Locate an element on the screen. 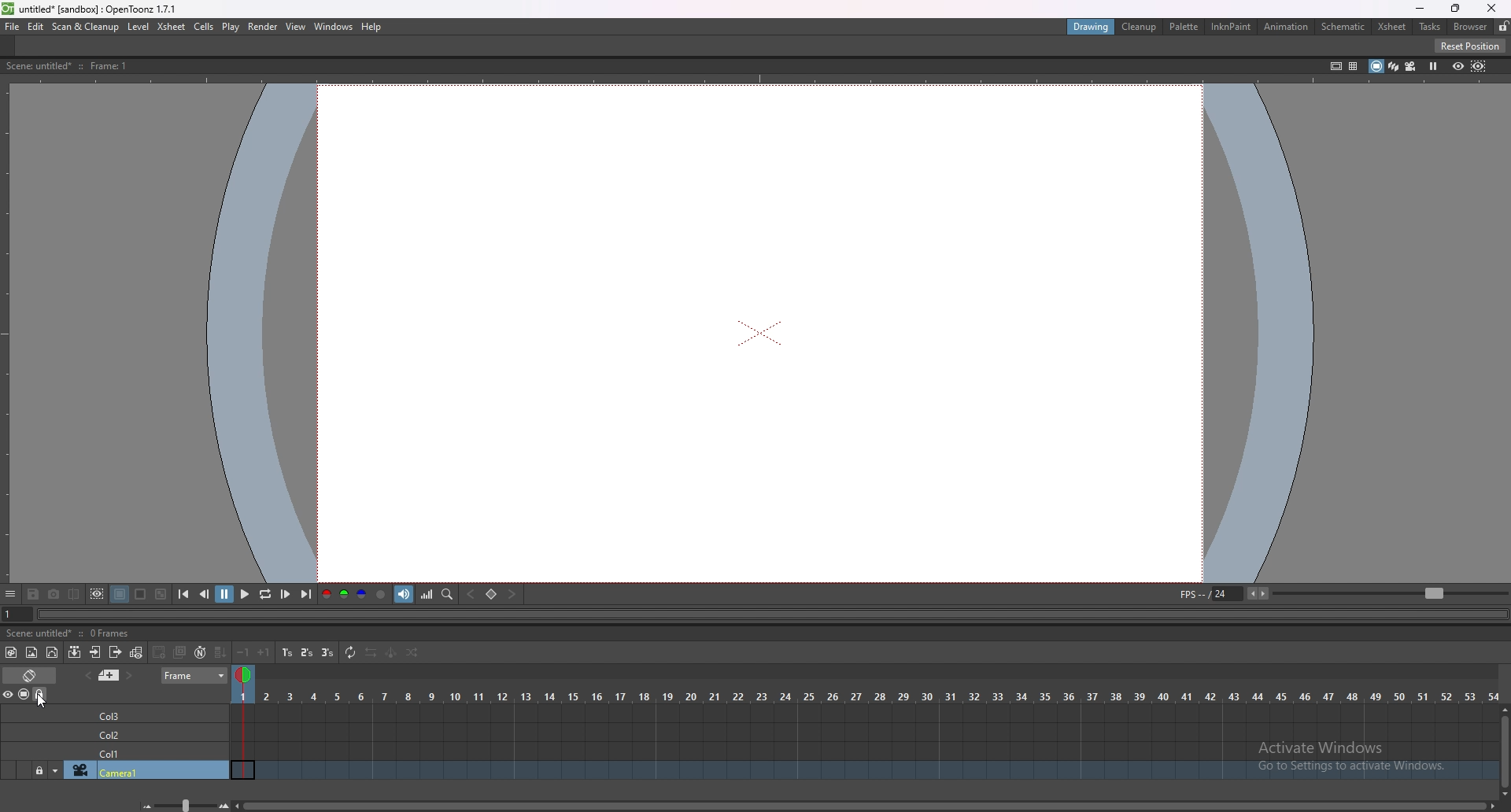 The width and height of the screenshot is (1511, 812). snapshot is located at coordinates (54, 594).